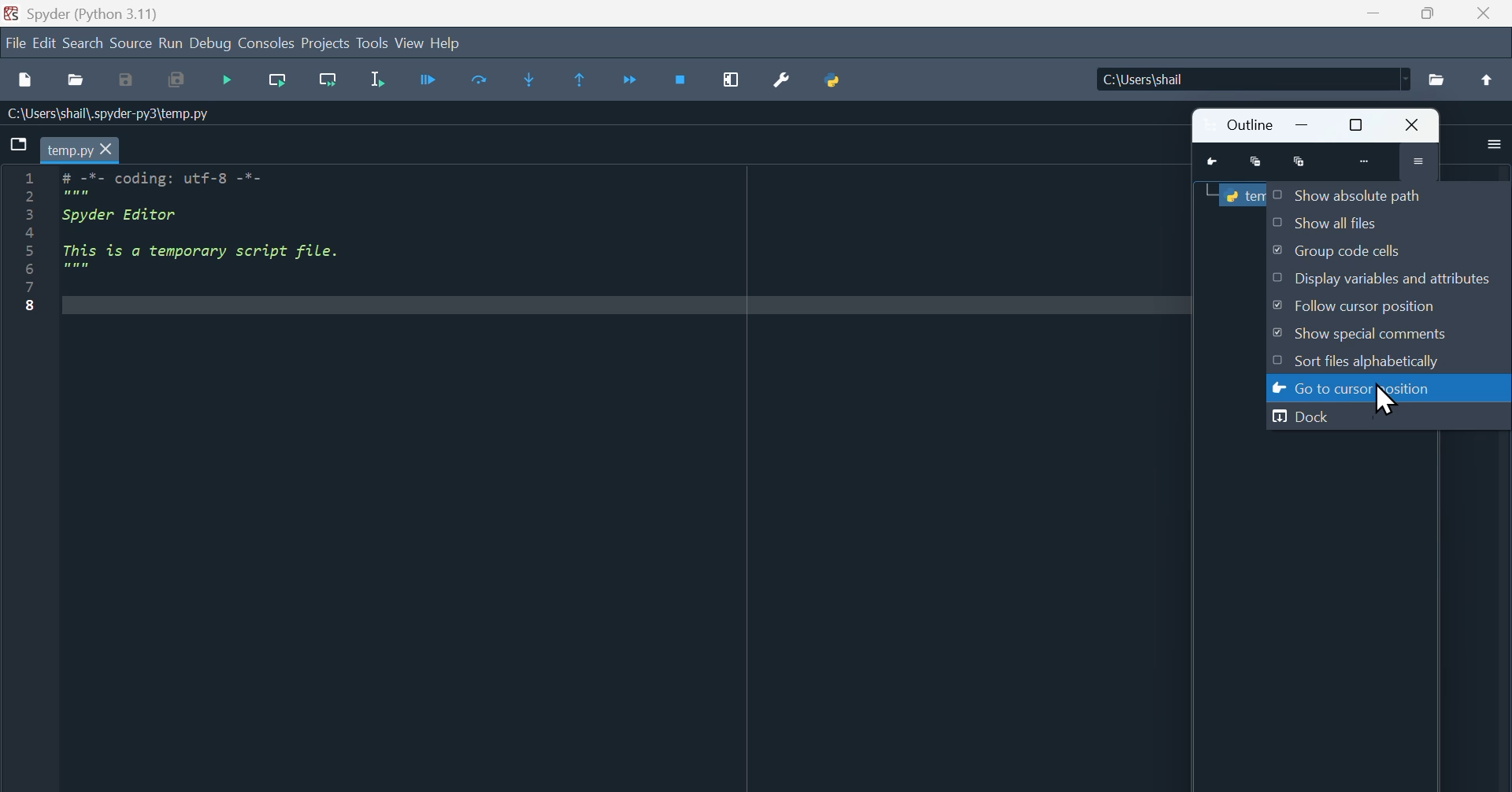 The width and height of the screenshot is (1512, 792). What do you see at coordinates (18, 144) in the screenshot?
I see `Browse tabs` at bounding box center [18, 144].